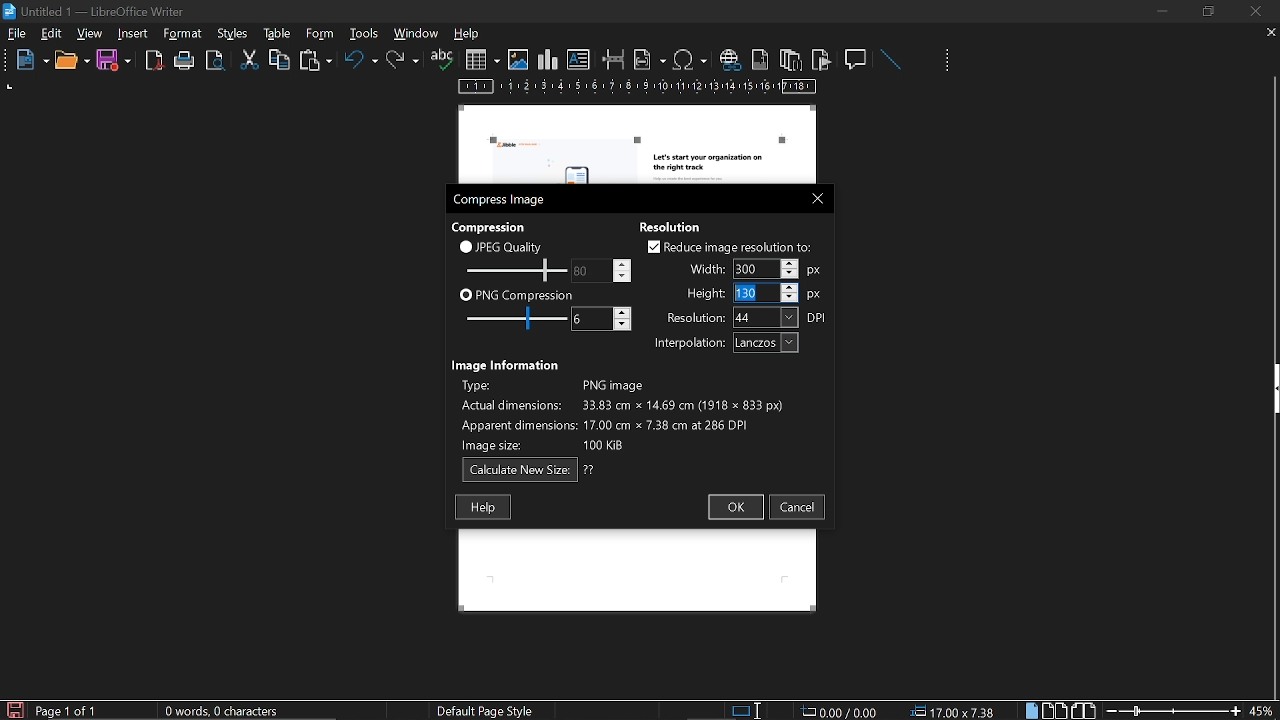  Describe the element at coordinates (638, 88) in the screenshot. I see `scale` at that location.